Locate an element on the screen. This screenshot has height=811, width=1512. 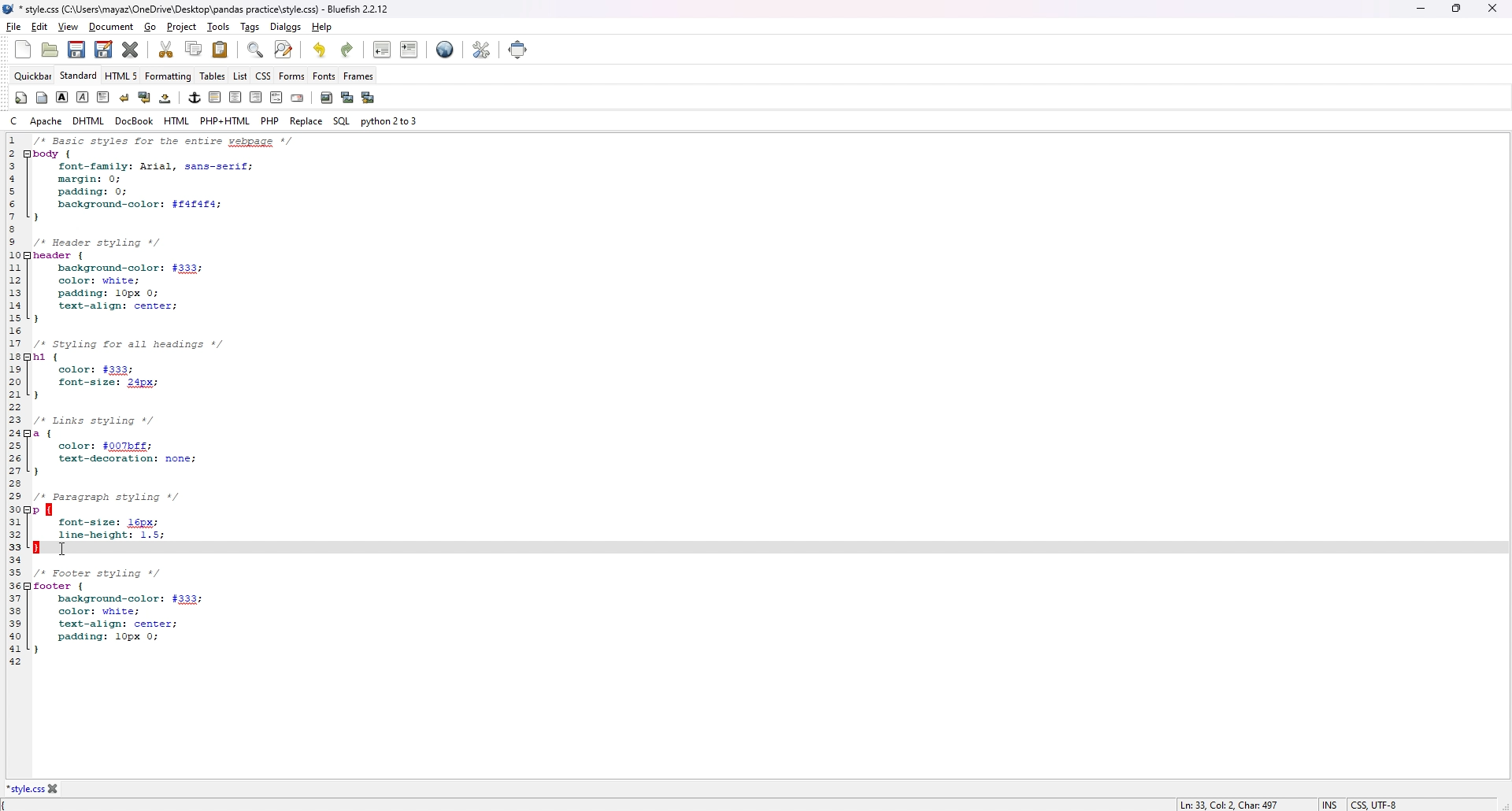
body is located at coordinates (42, 98).